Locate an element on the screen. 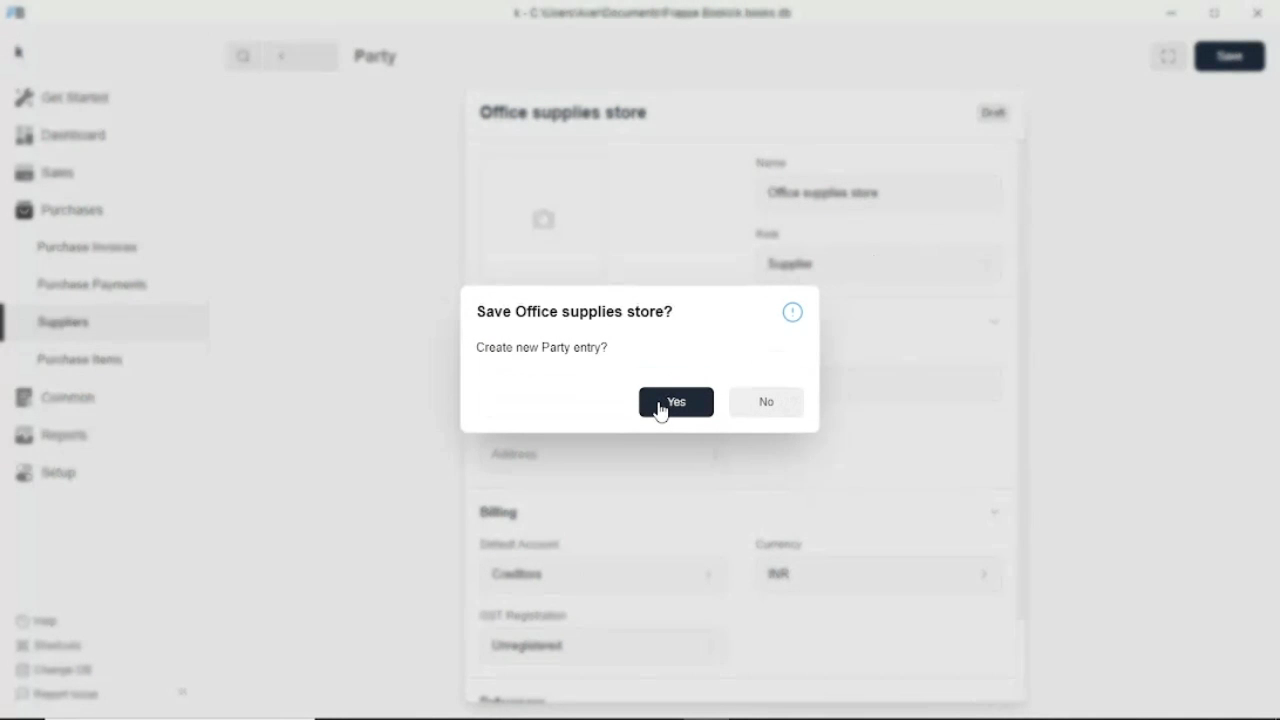 The image size is (1280, 720). Role is located at coordinates (768, 233).